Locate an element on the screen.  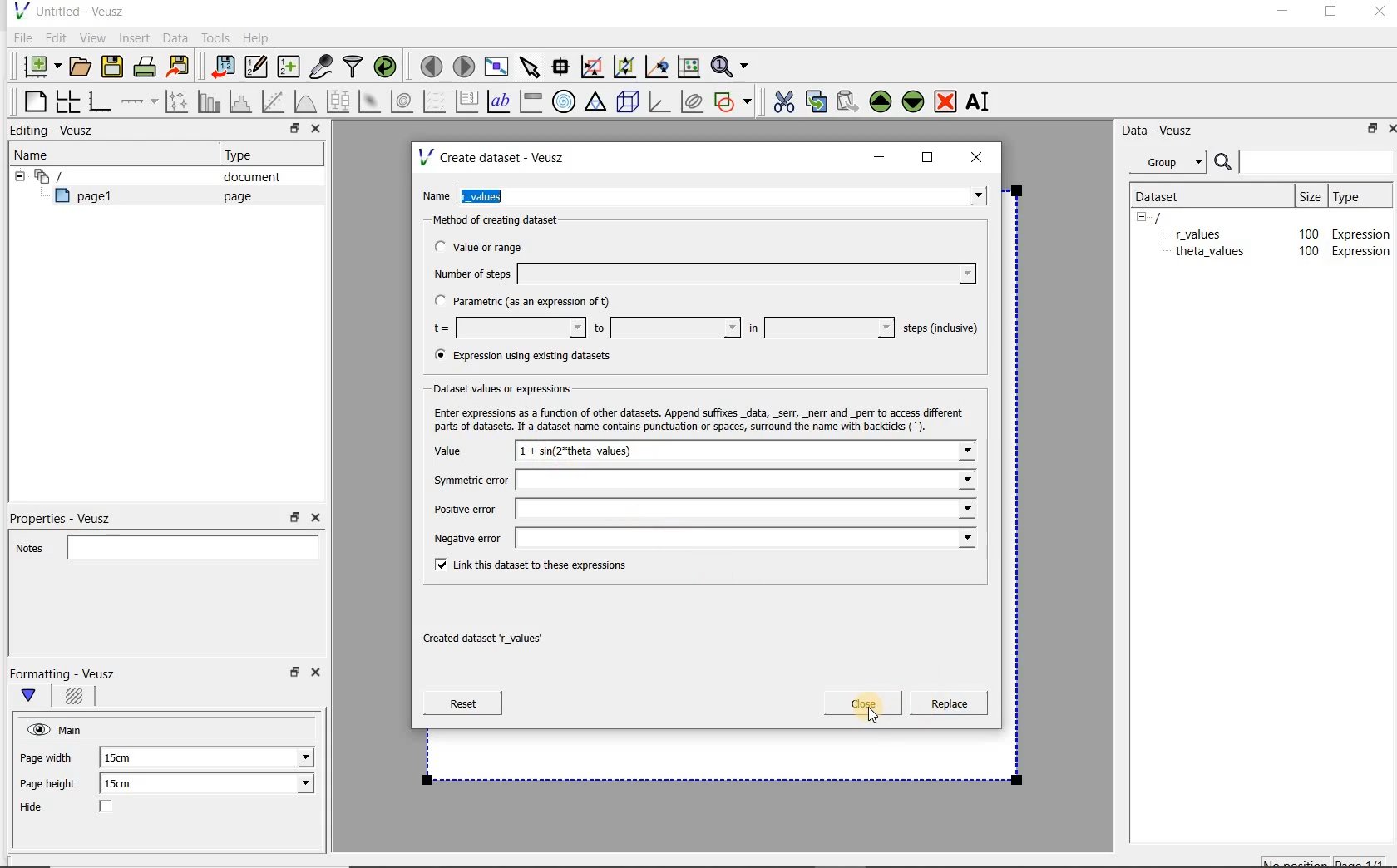
plot key is located at coordinates (468, 101).